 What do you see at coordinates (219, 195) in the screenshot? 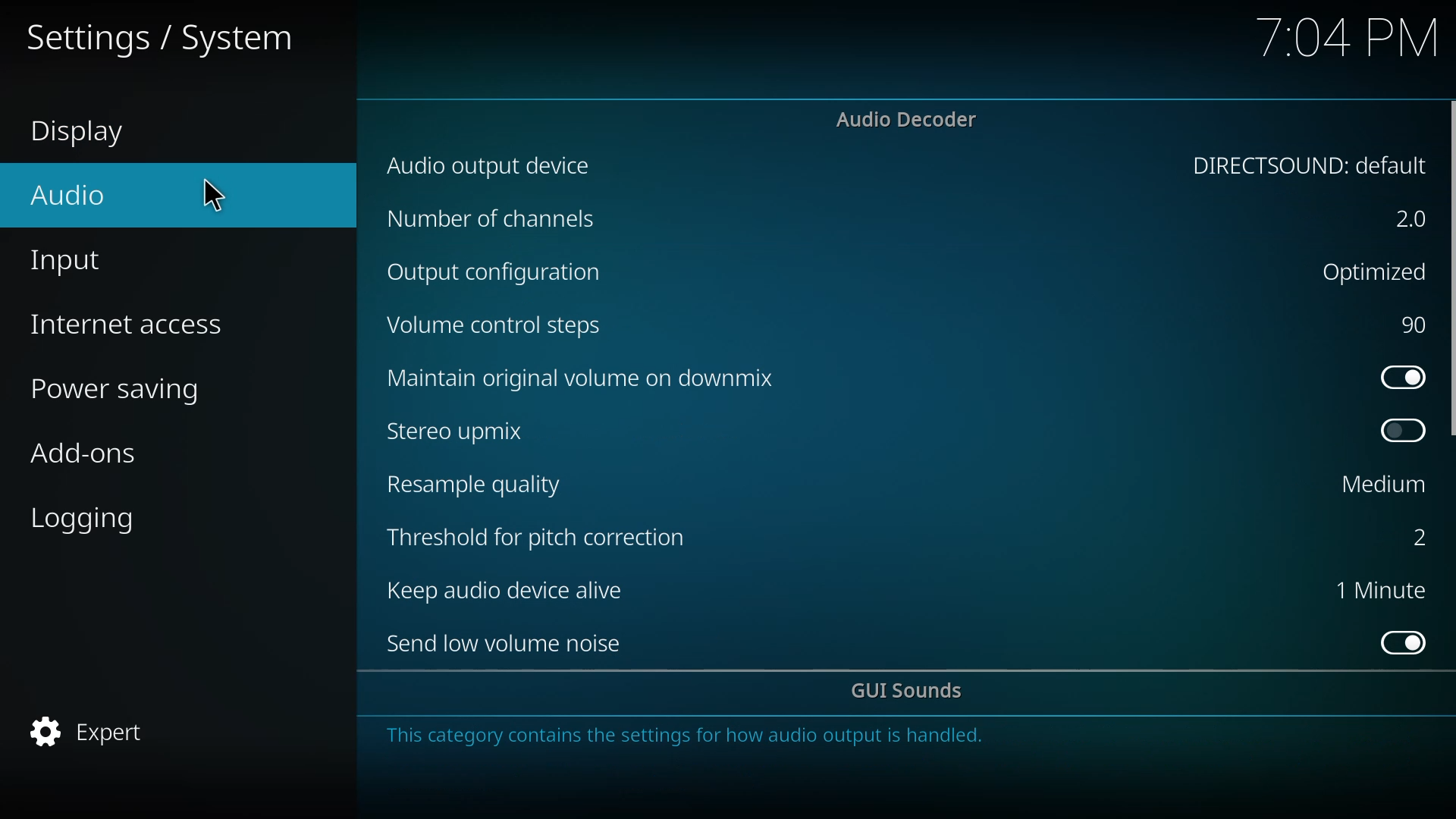
I see `cursor` at bounding box center [219, 195].